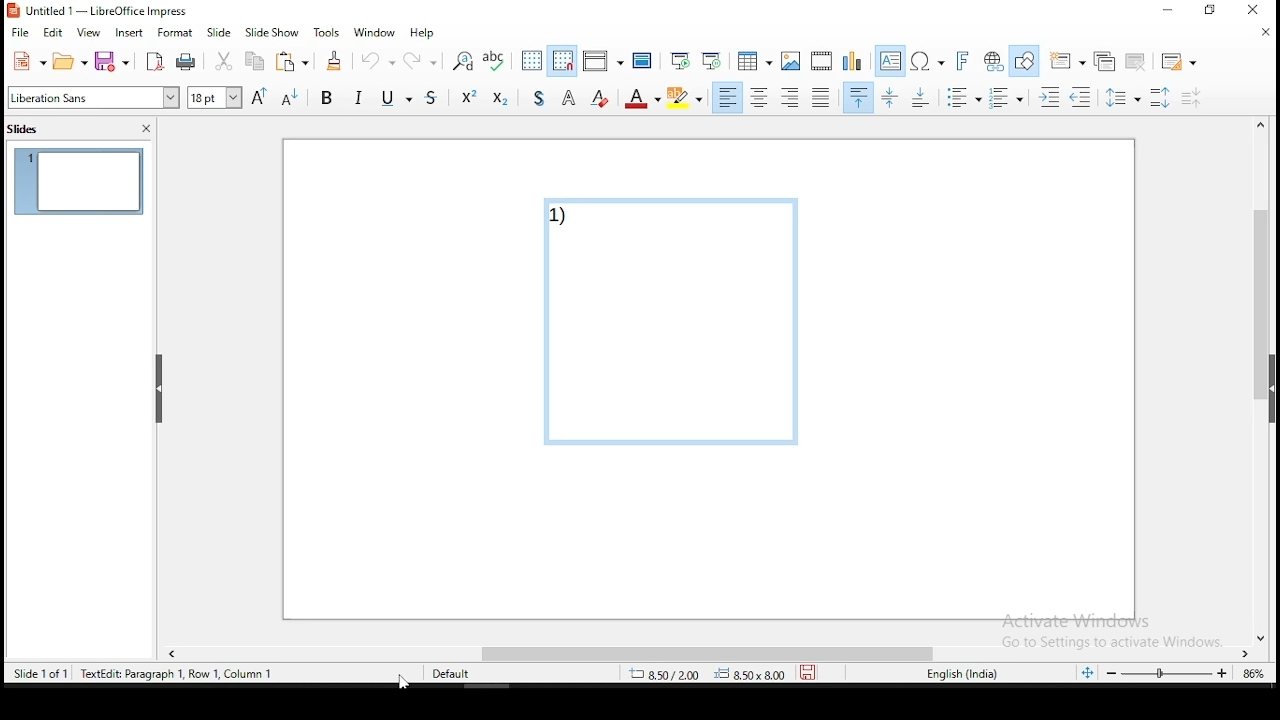  What do you see at coordinates (1210, 11) in the screenshot?
I see `restore` at bounding box center [1210, 11].